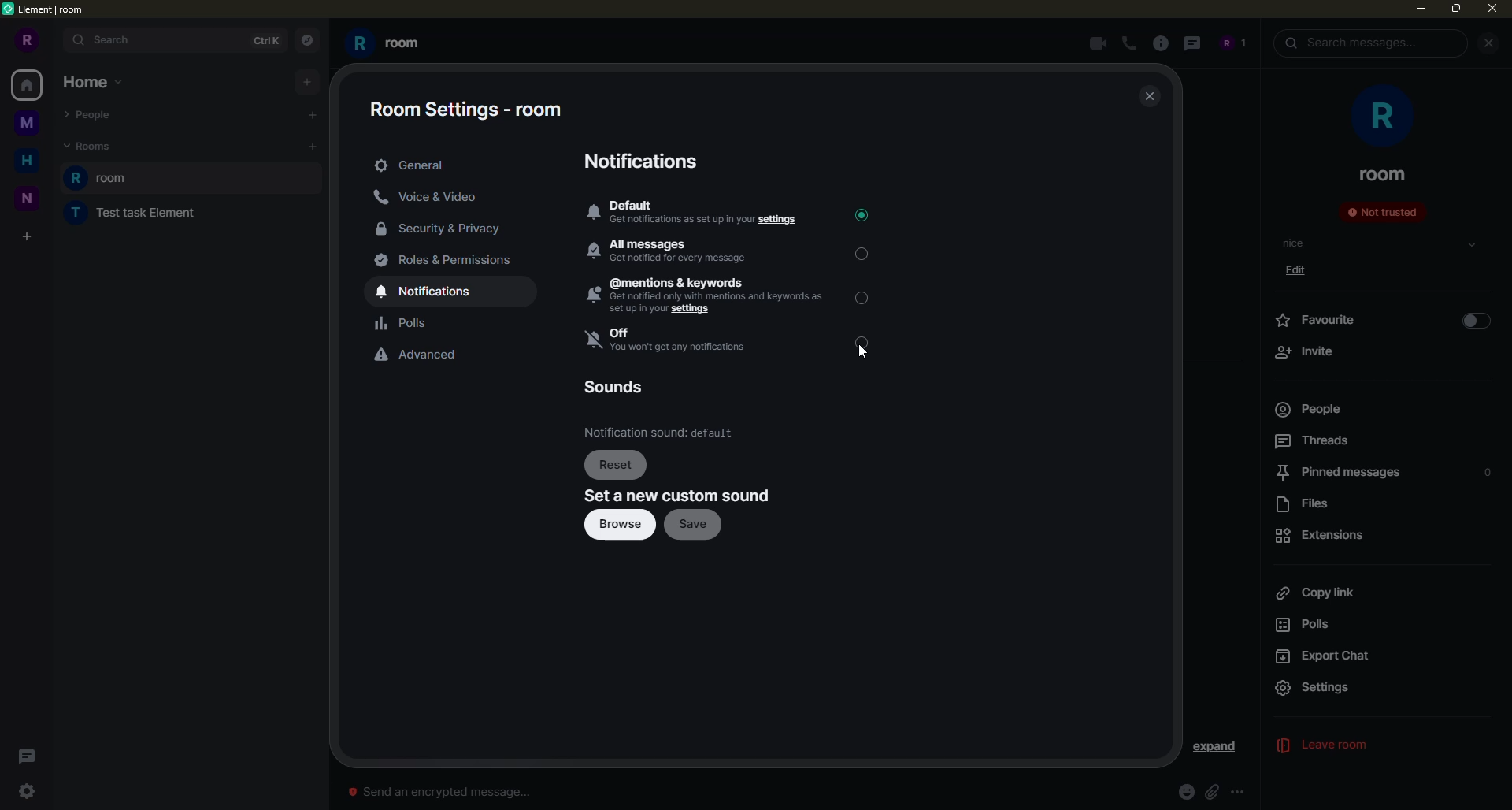 The width and height of the screenshot is (1512, 810). I want to click on rooms, so click(89, 146).